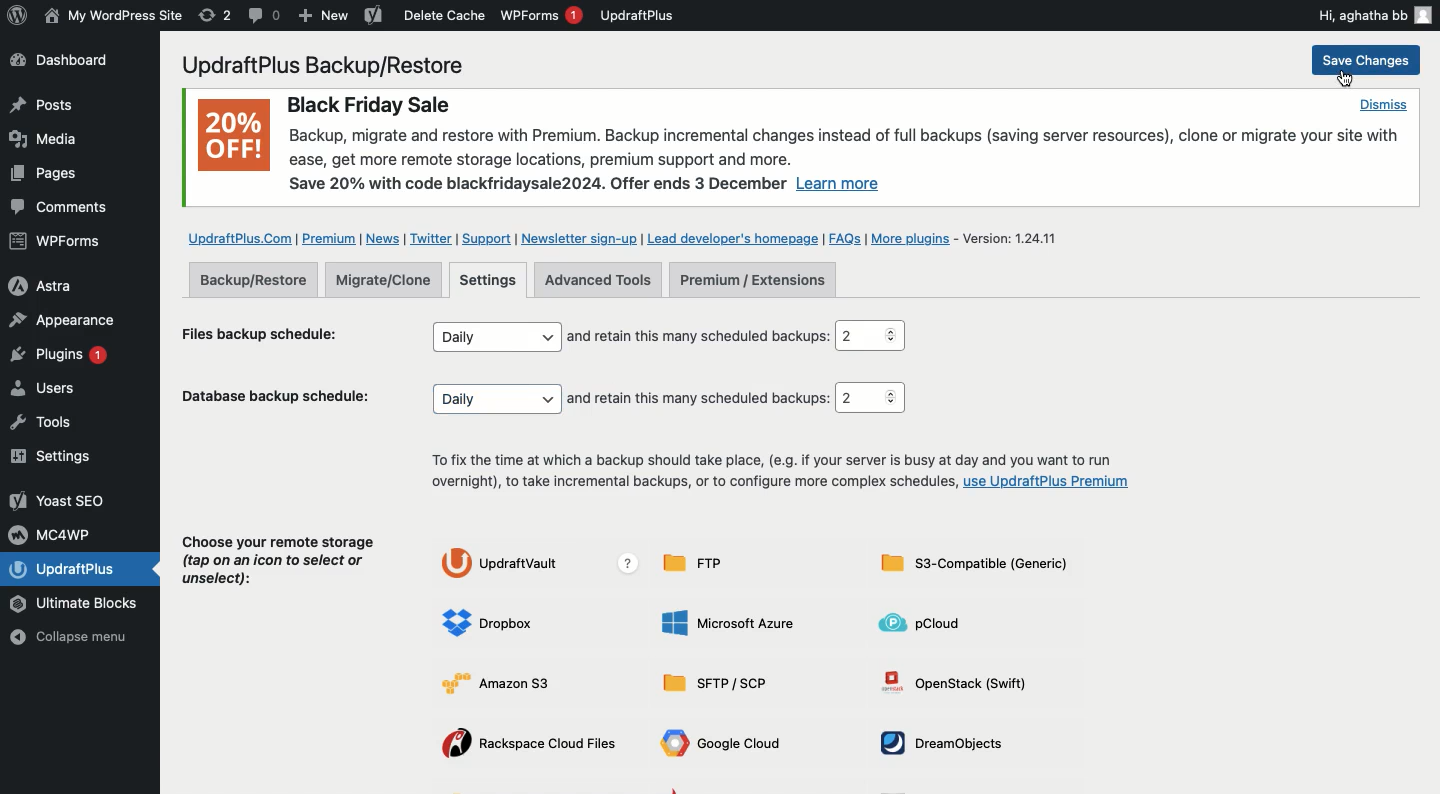 This screenshot has width=1440, height=794. What do you see at coordinates (1382, 104) in the screenshot?
I see `Dismiss` at bounding box center [1382, 104].